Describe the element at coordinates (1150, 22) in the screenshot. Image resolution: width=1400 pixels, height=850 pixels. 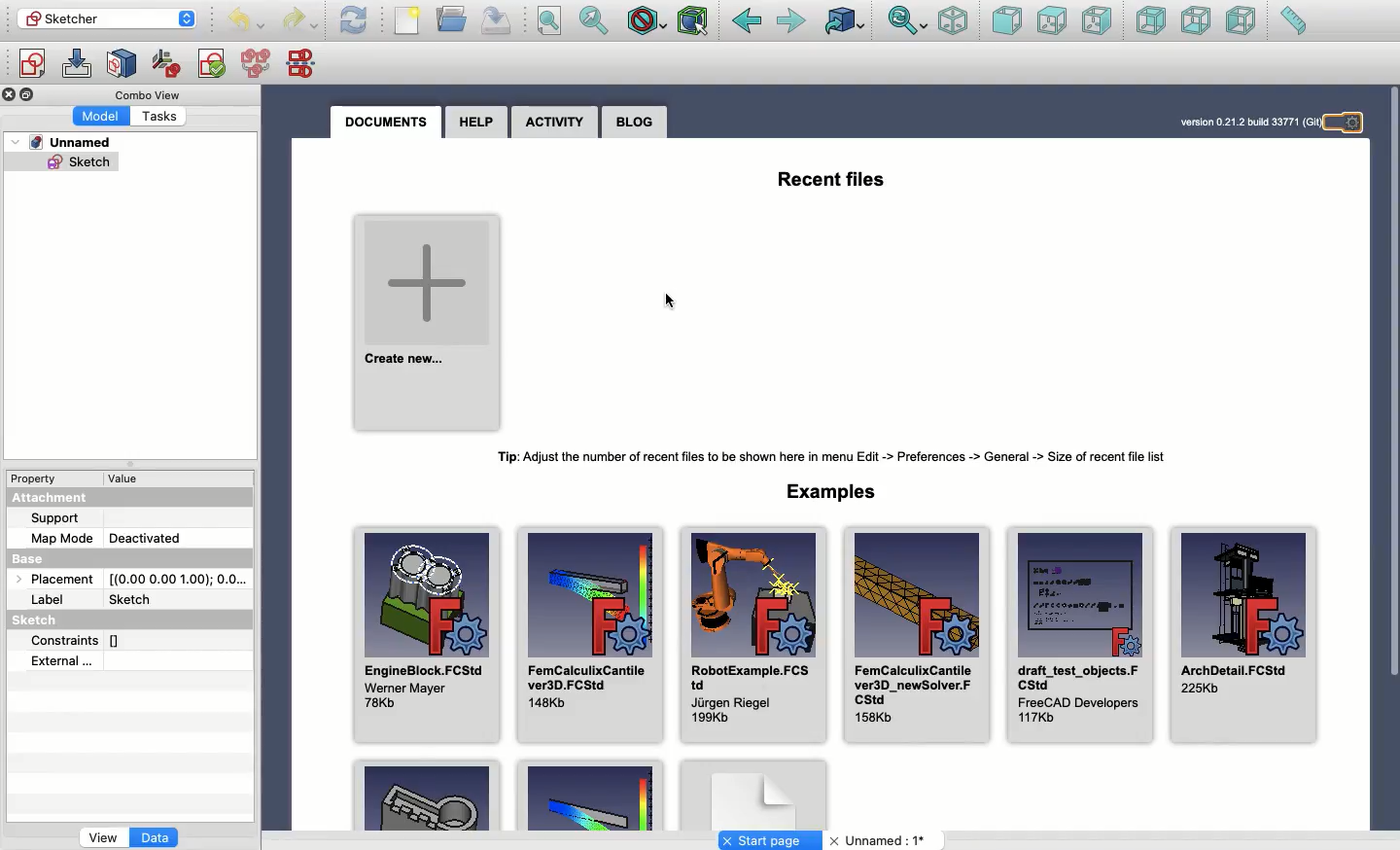
I see `Rear` at that location.